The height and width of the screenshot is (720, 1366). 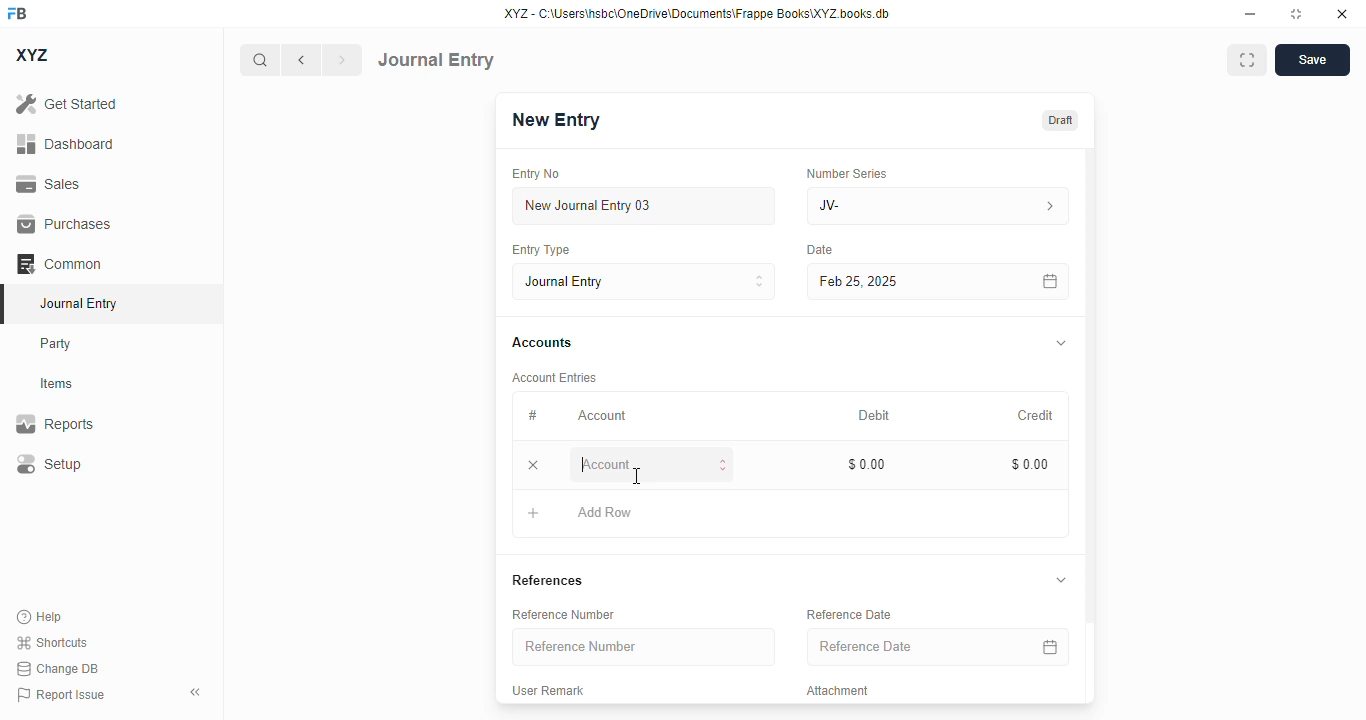 What do you see at coordinates (55, 423) in the screenshot?
I see `reports` at bounding box center [55, 423].